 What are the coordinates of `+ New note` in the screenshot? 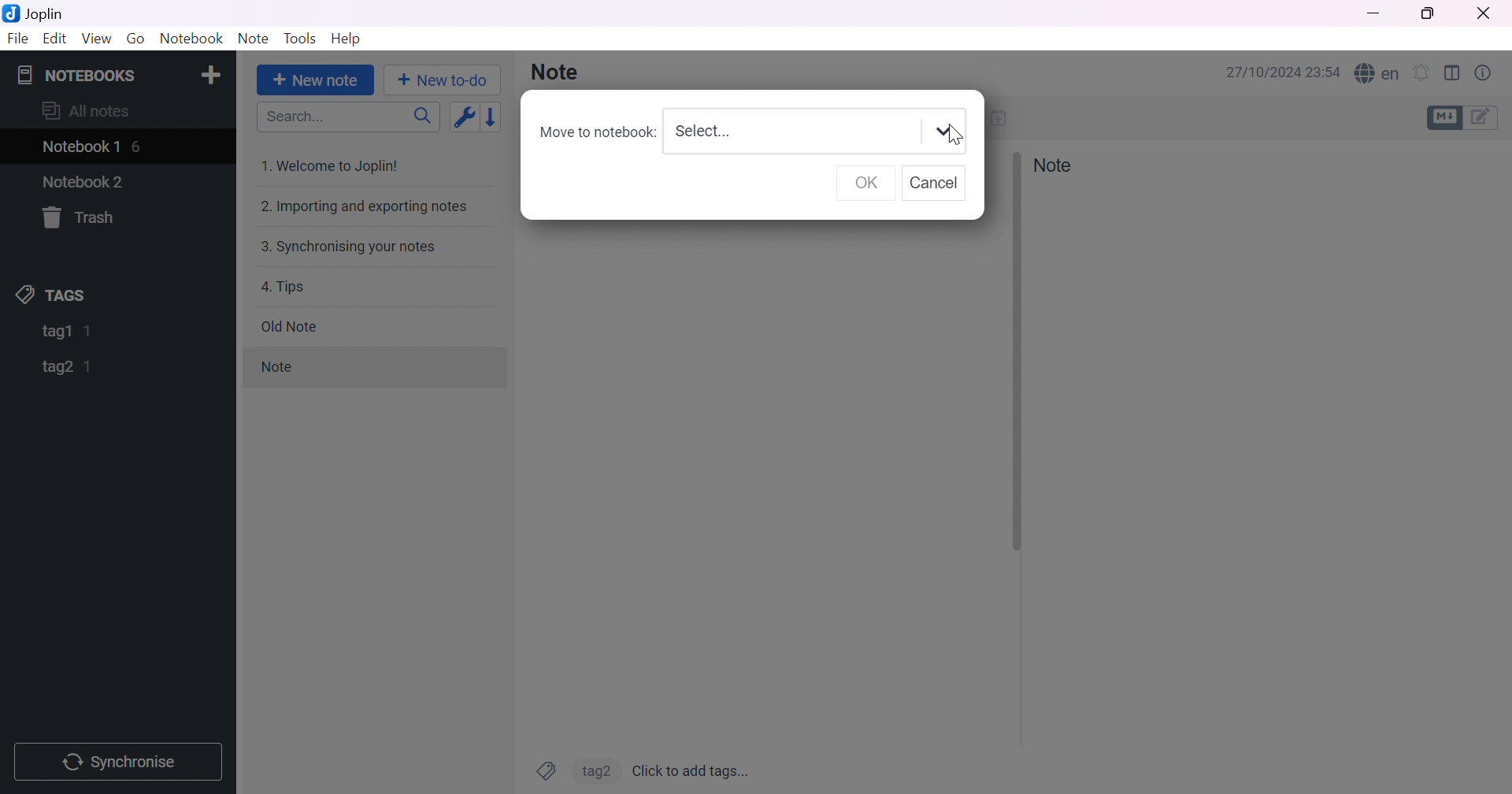 It's located at (315, 81).